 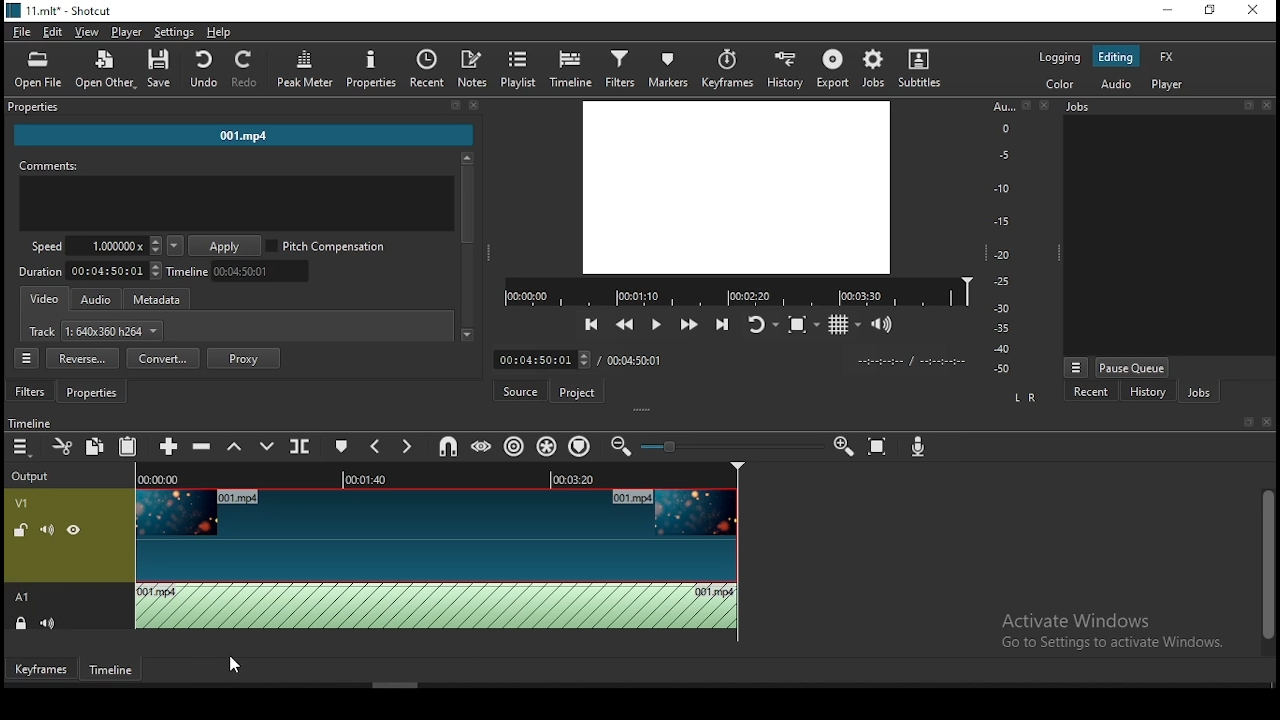 What do you see at coordinates (20, 622) in the screenshot?
I see `(un)lock` at bounding box center [20, 622].